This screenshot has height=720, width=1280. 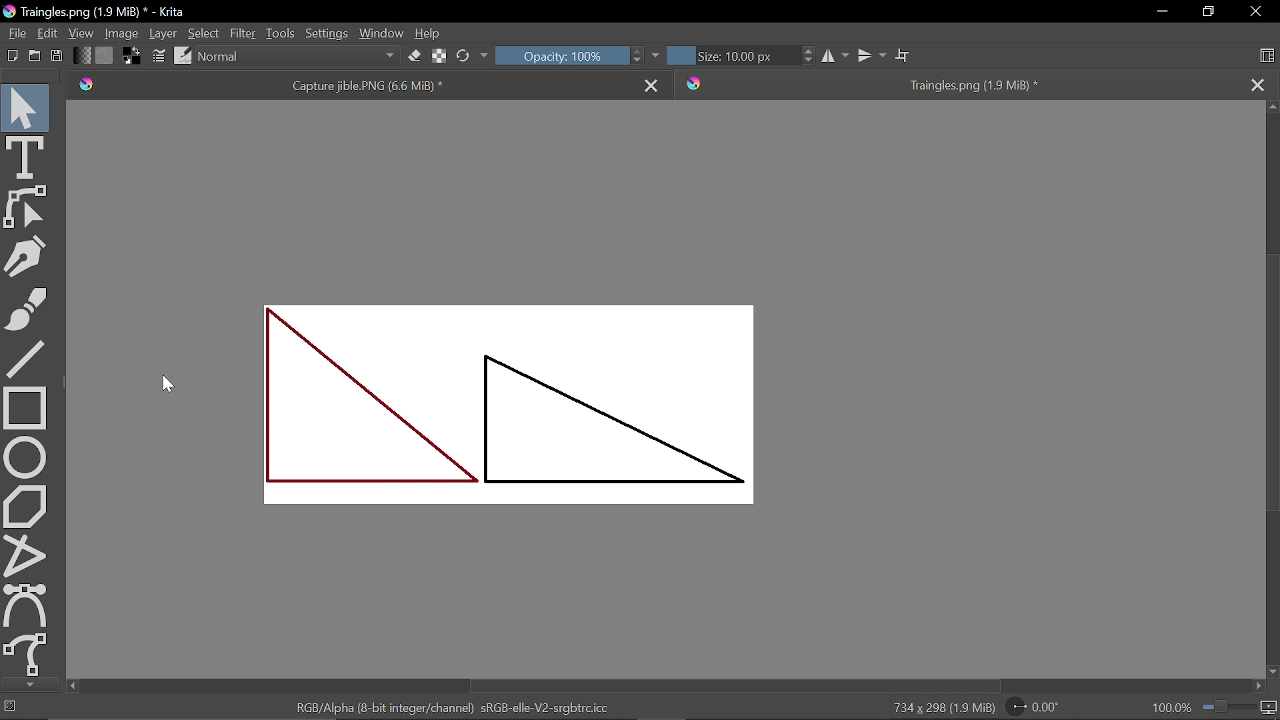 What do you see at coordinates (870, 55) in the screenshot?
I see `Vertical mirror` at bounding box center [870, 55].